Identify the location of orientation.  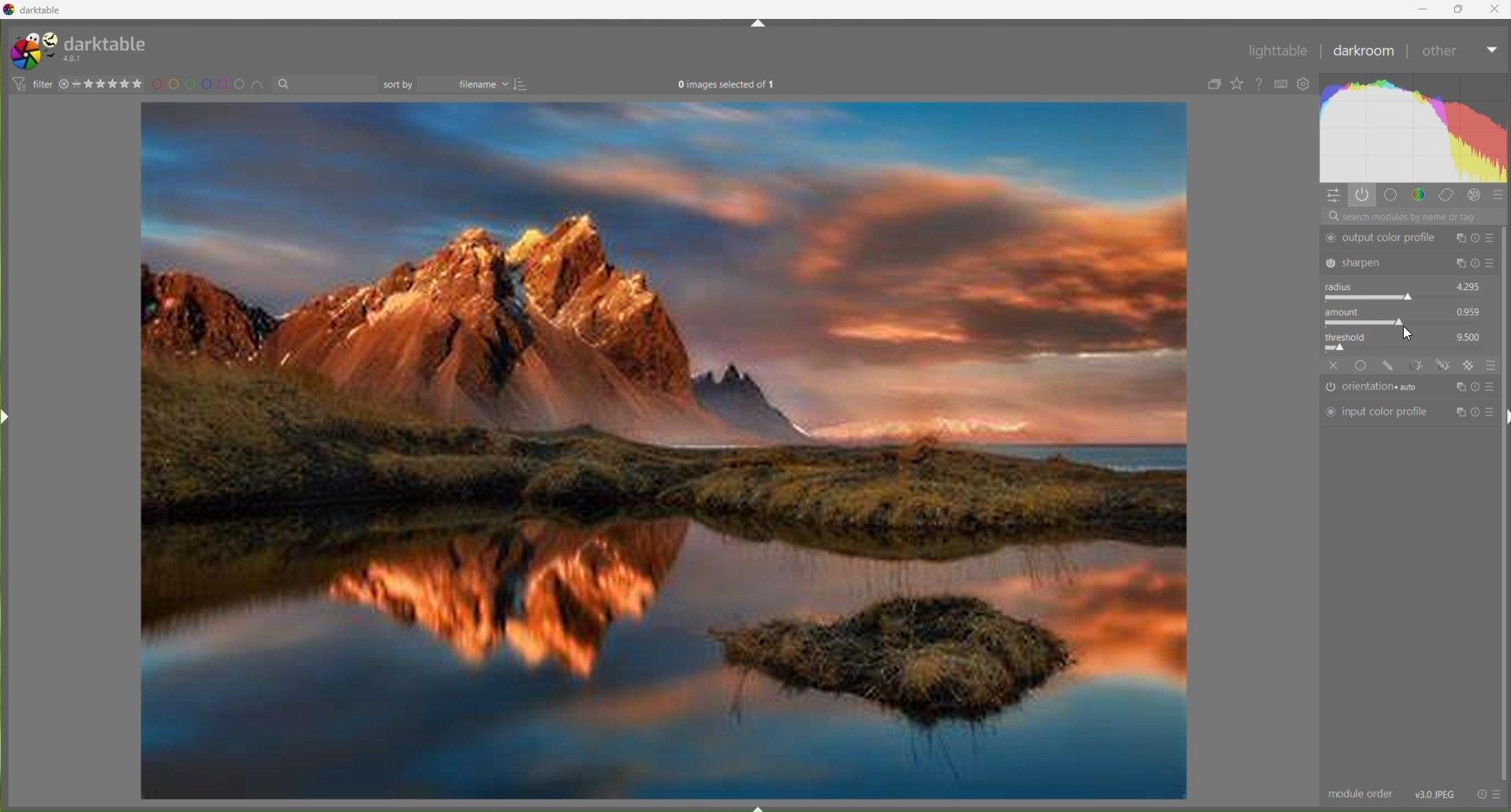
(1377, 388).